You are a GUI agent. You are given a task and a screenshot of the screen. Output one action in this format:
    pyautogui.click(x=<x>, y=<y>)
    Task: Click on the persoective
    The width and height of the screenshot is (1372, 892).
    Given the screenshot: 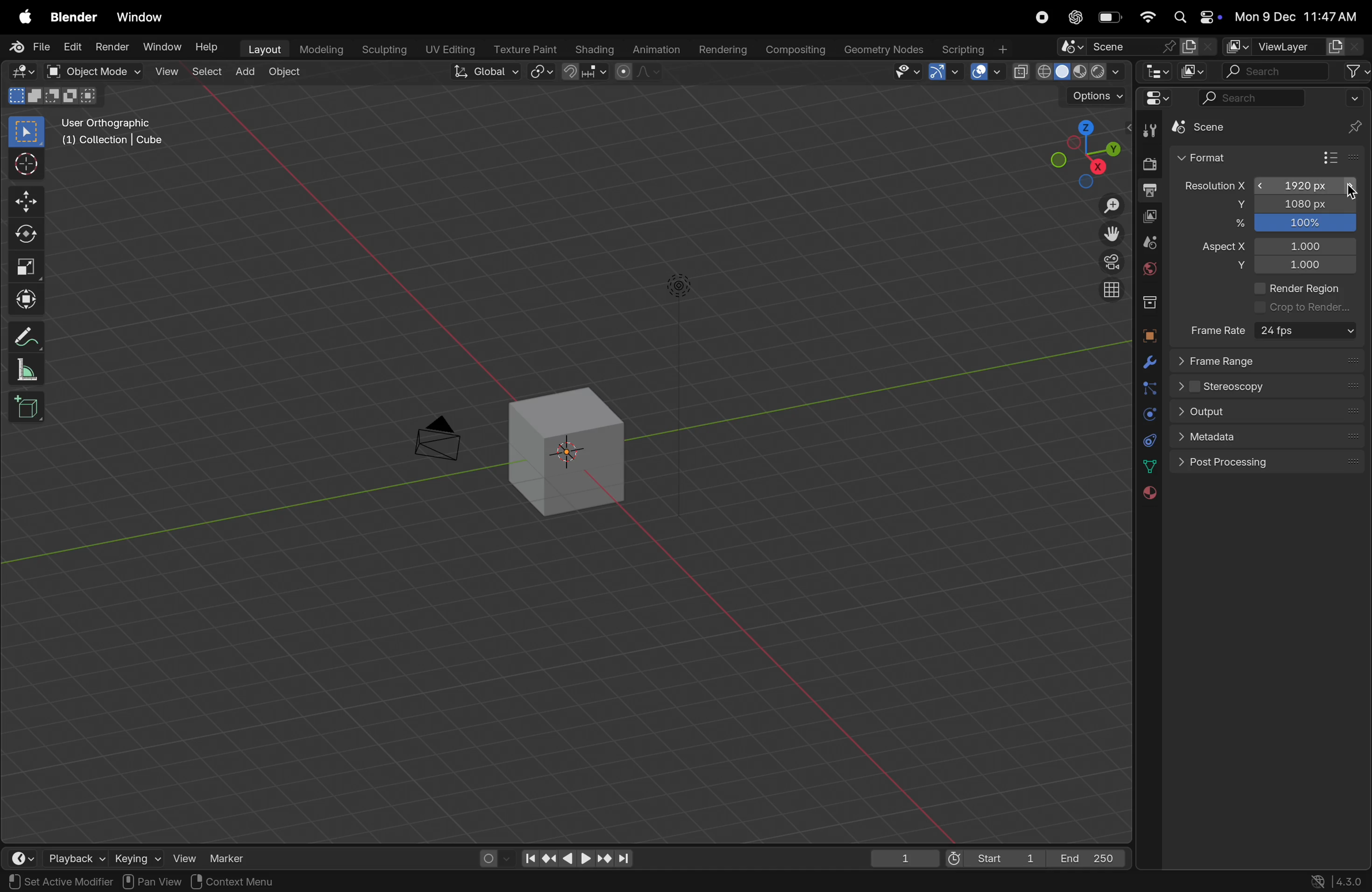 What is the action you would take?
    pyautogui.click(x=1107, y=262)
    